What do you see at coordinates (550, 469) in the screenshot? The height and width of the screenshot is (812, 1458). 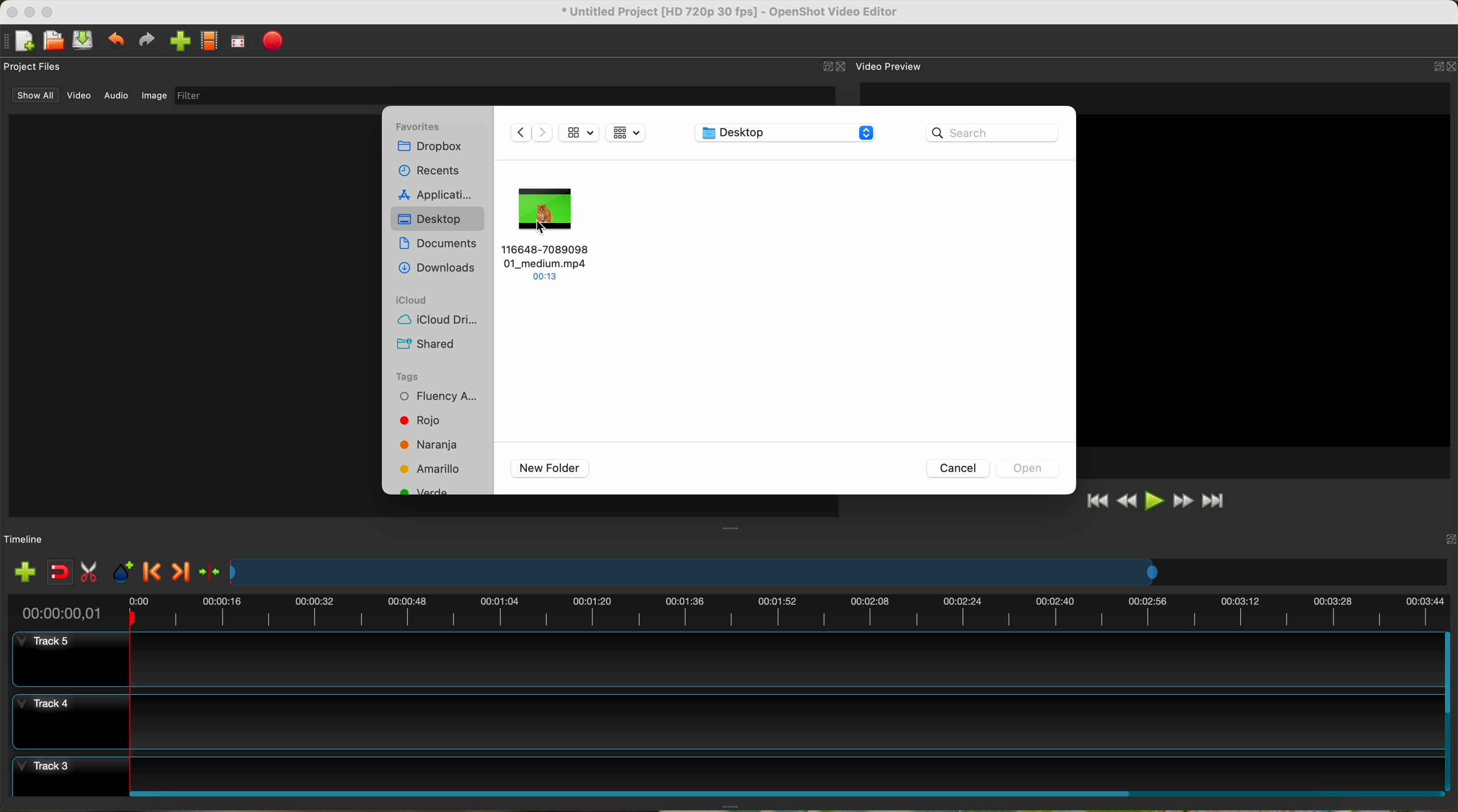 I see `new folder button` at bounding box center [550, 469].